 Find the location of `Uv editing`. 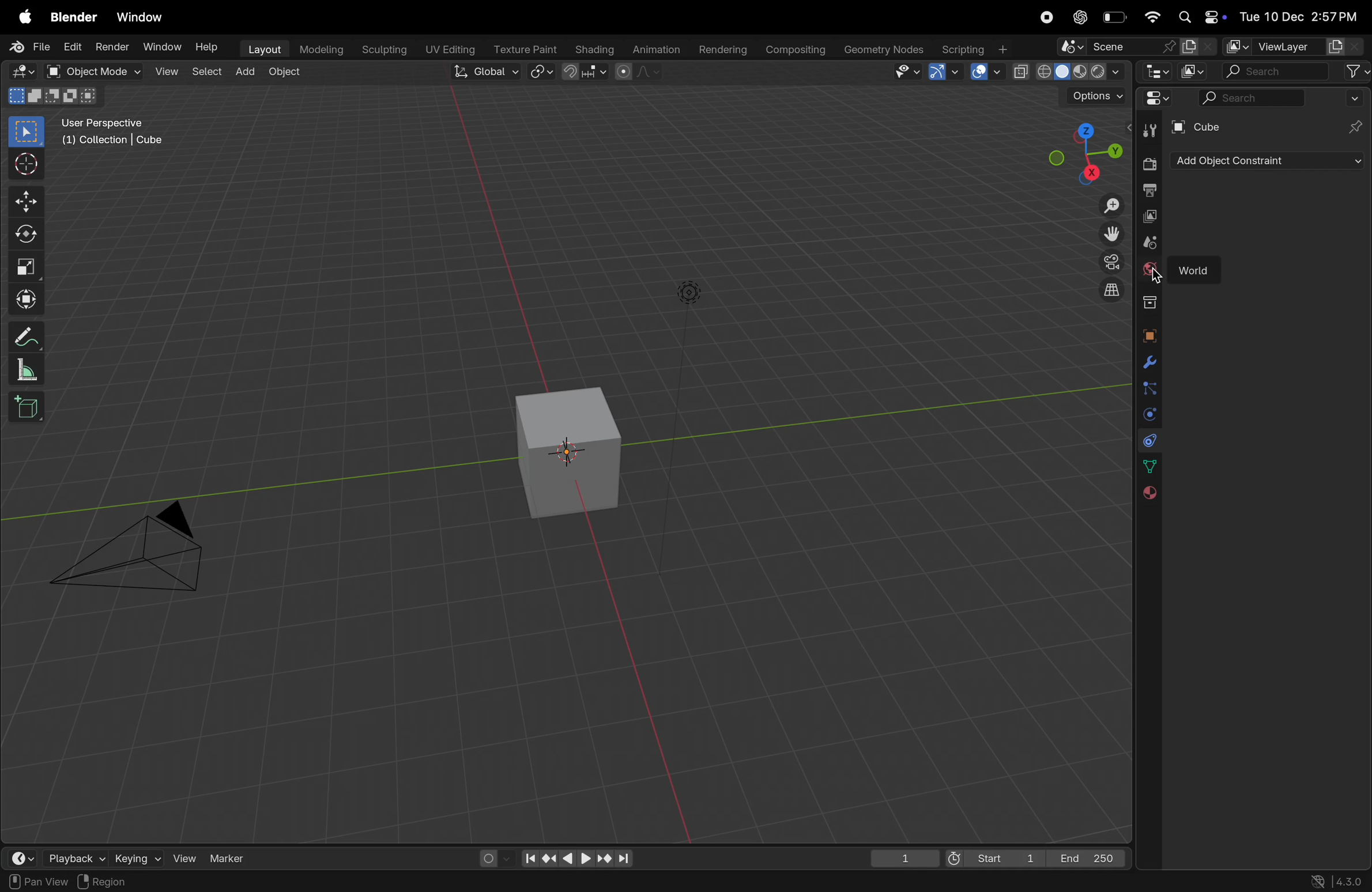

Uv editing is located at coordinates (448, 51).